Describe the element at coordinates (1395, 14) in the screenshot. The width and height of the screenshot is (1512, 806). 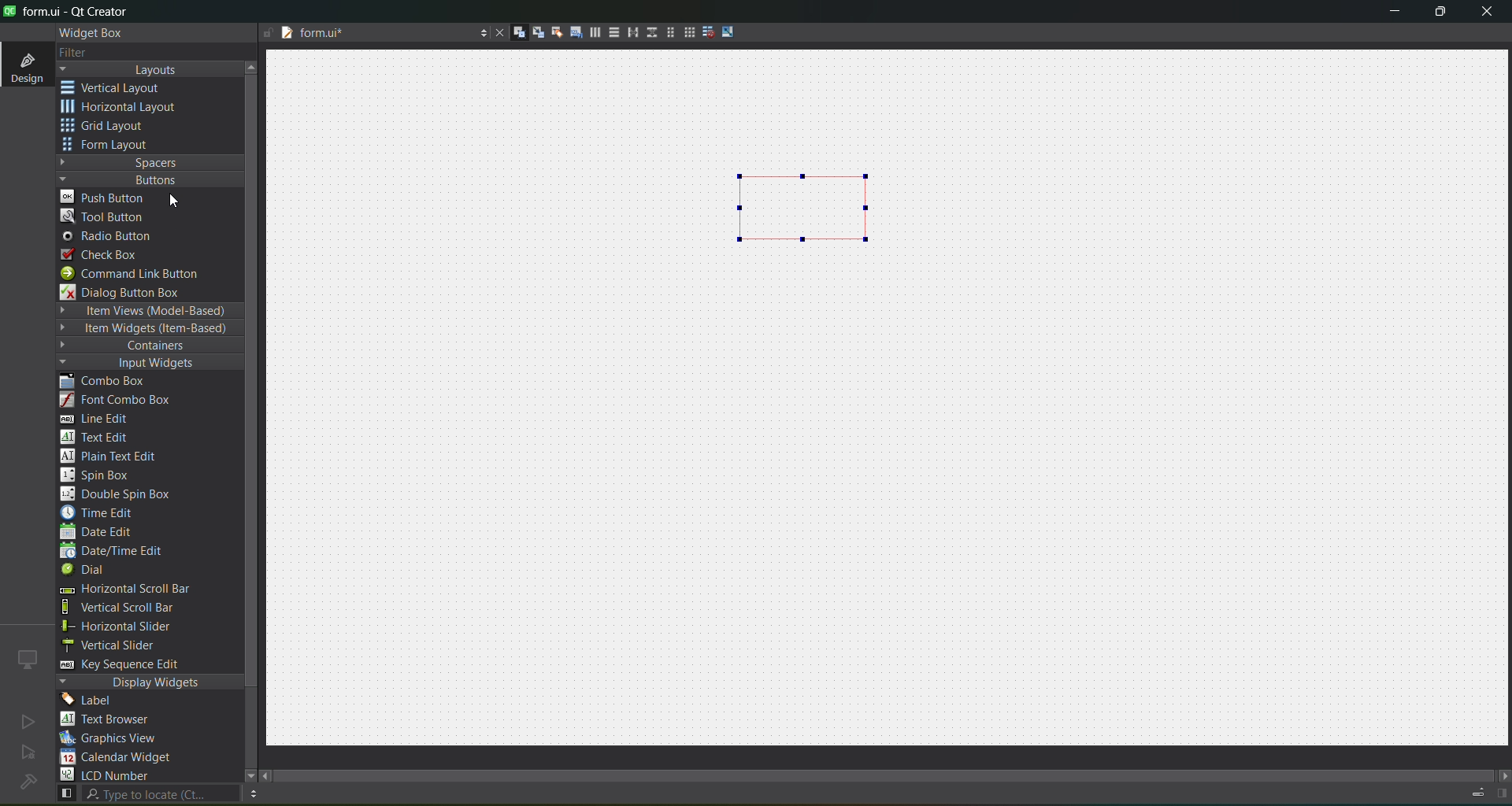
I see `minimize` at that location.